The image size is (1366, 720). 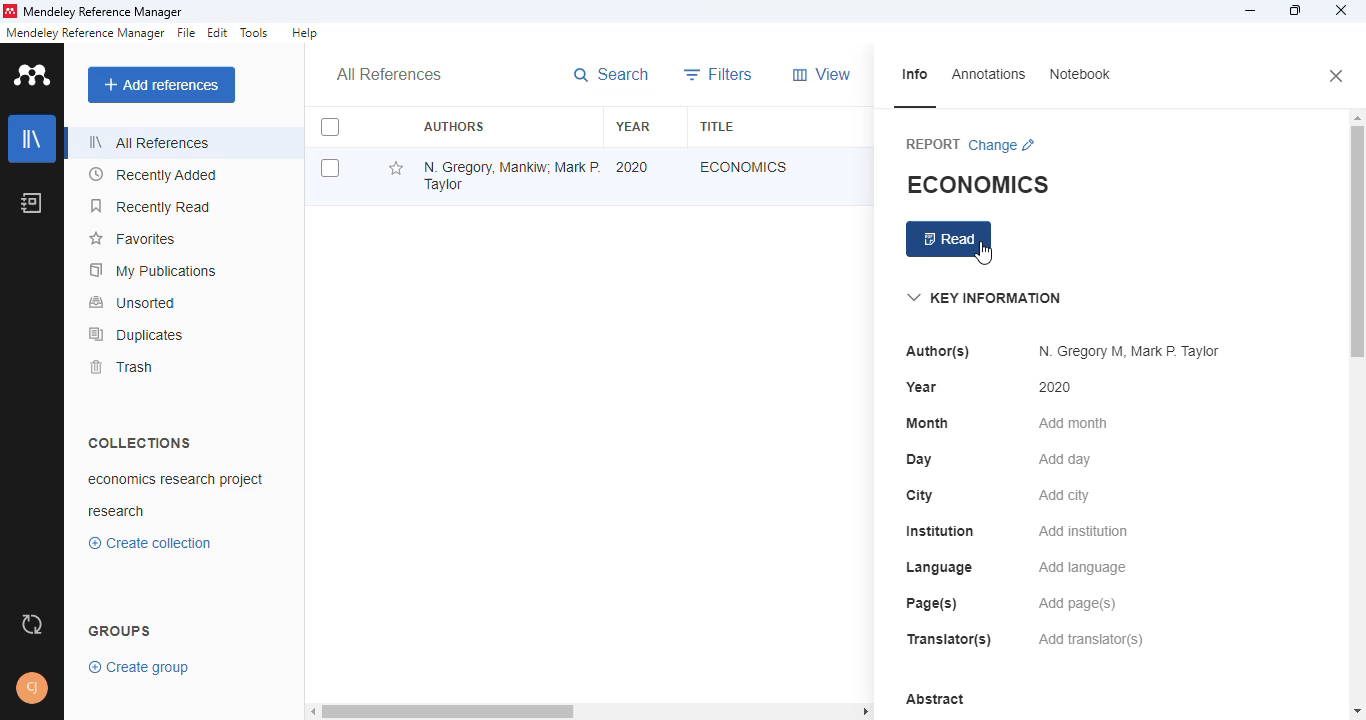 I want to click on logo, so click(x=12, y=11).